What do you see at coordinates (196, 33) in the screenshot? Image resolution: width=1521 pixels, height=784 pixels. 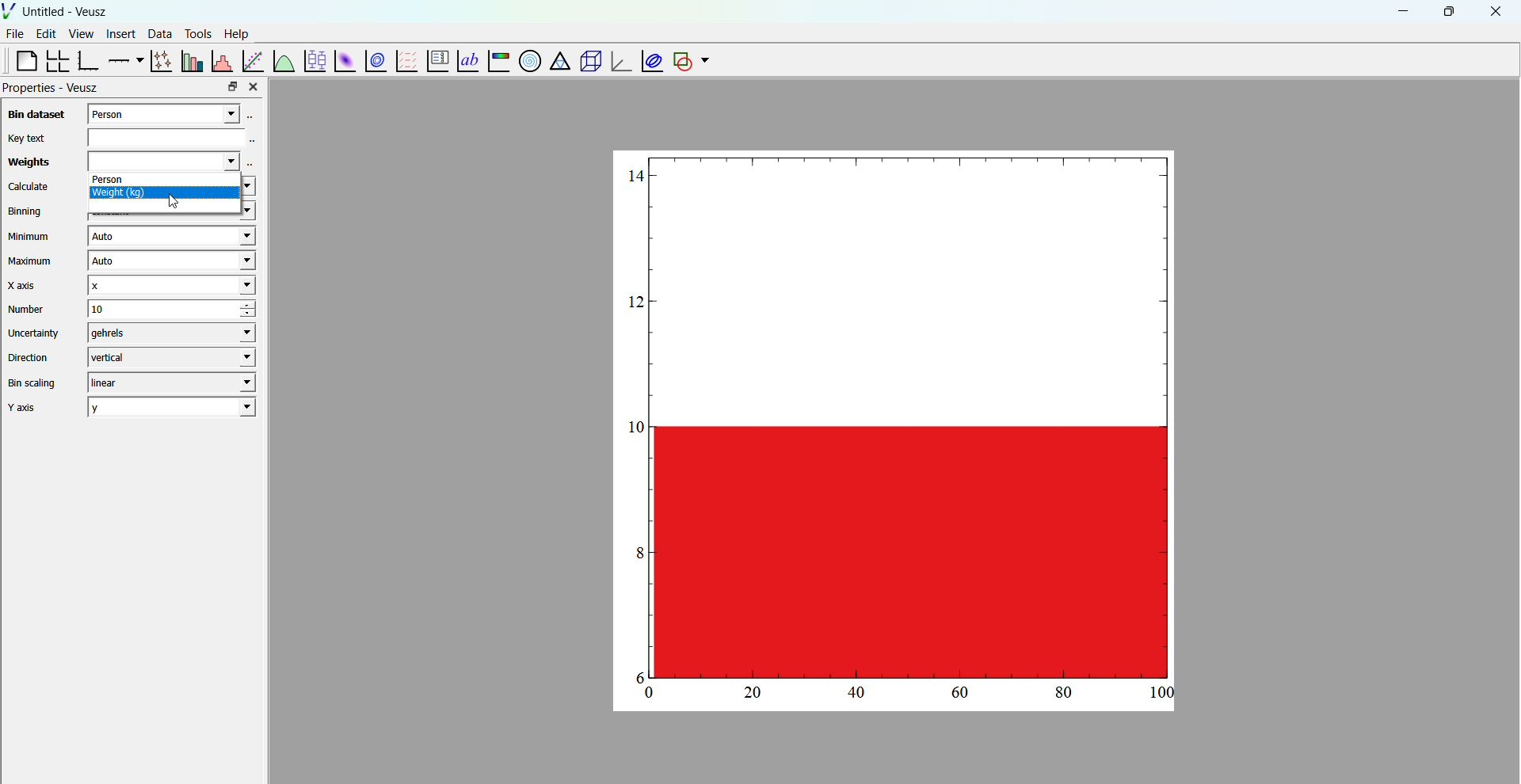 I see `tools` at bounding box center [196, 33].